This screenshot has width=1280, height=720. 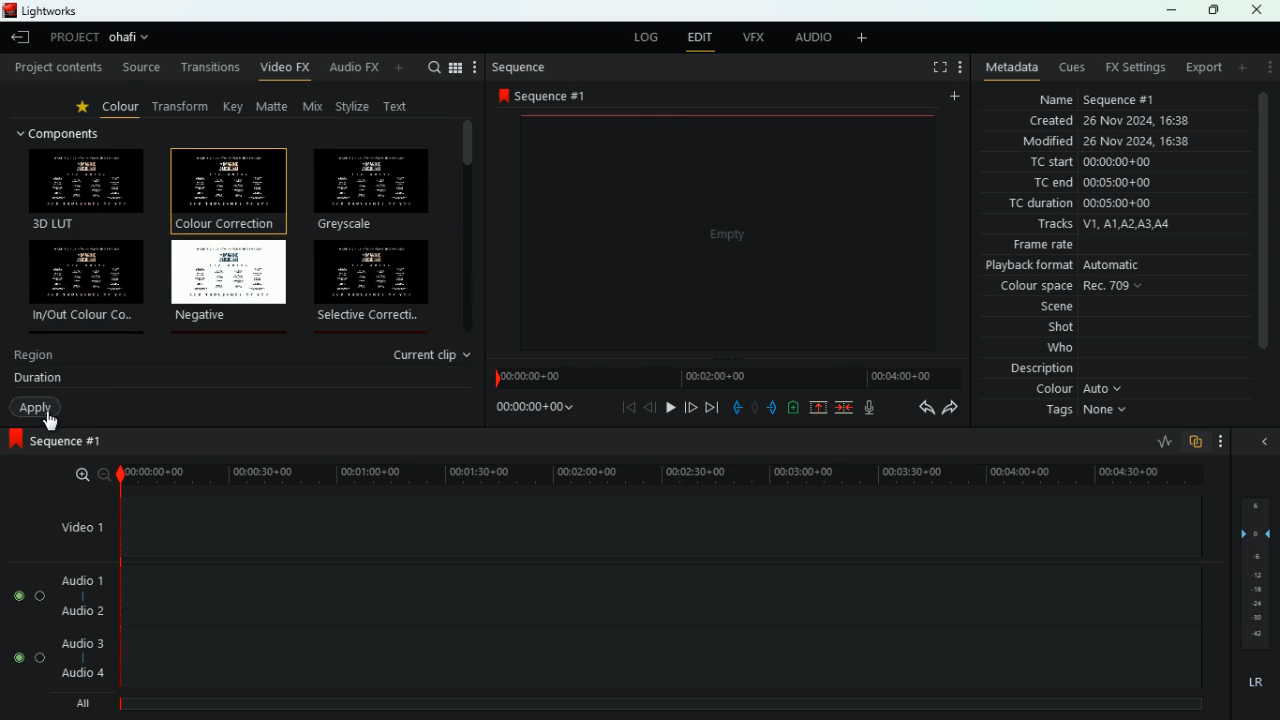 What do you see at coordinates (1008, 69) in the screenshot?
I see `metadata` at bounding box center [1008, 69].